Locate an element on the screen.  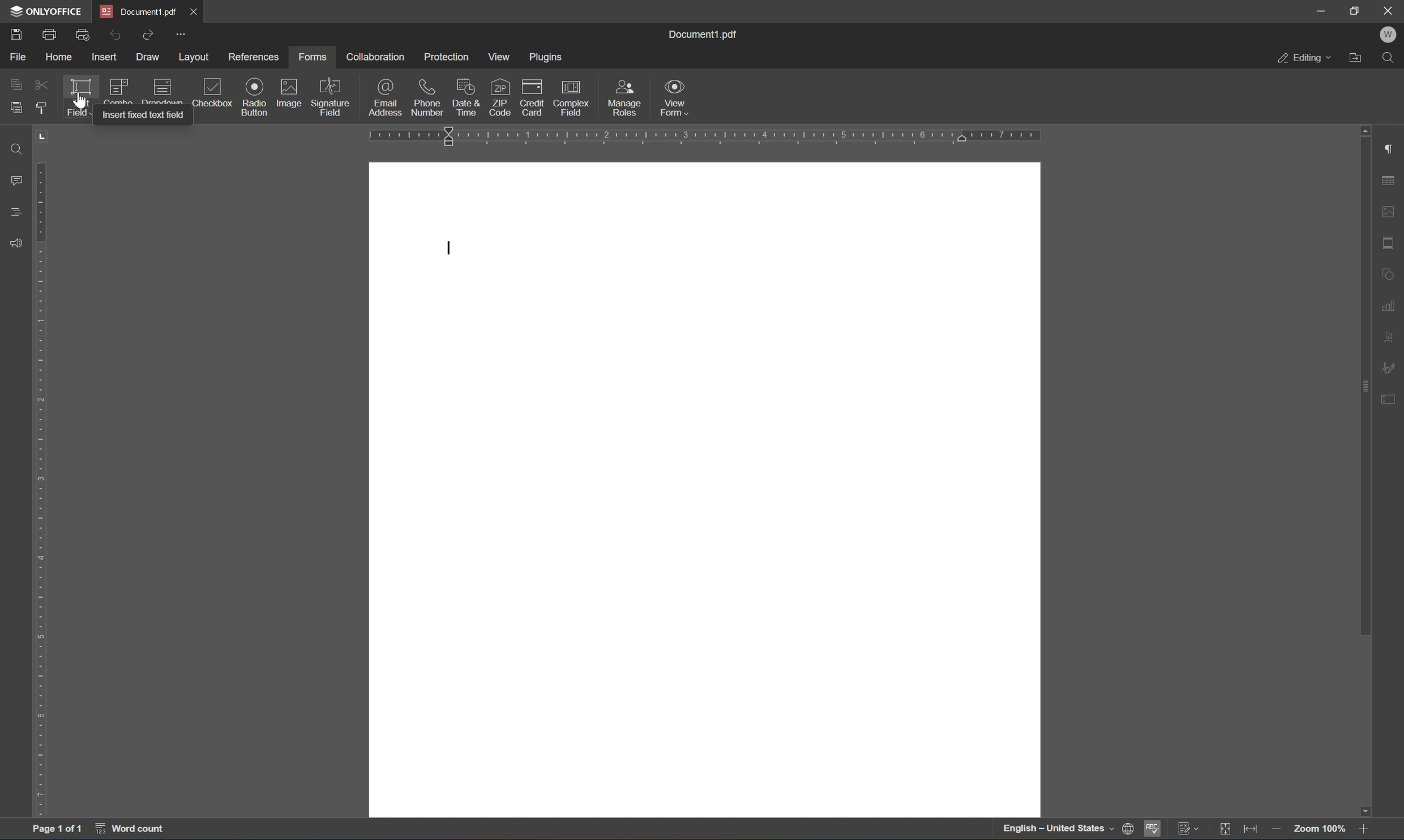
header and footer settings is located at coordinates (1392, 243).